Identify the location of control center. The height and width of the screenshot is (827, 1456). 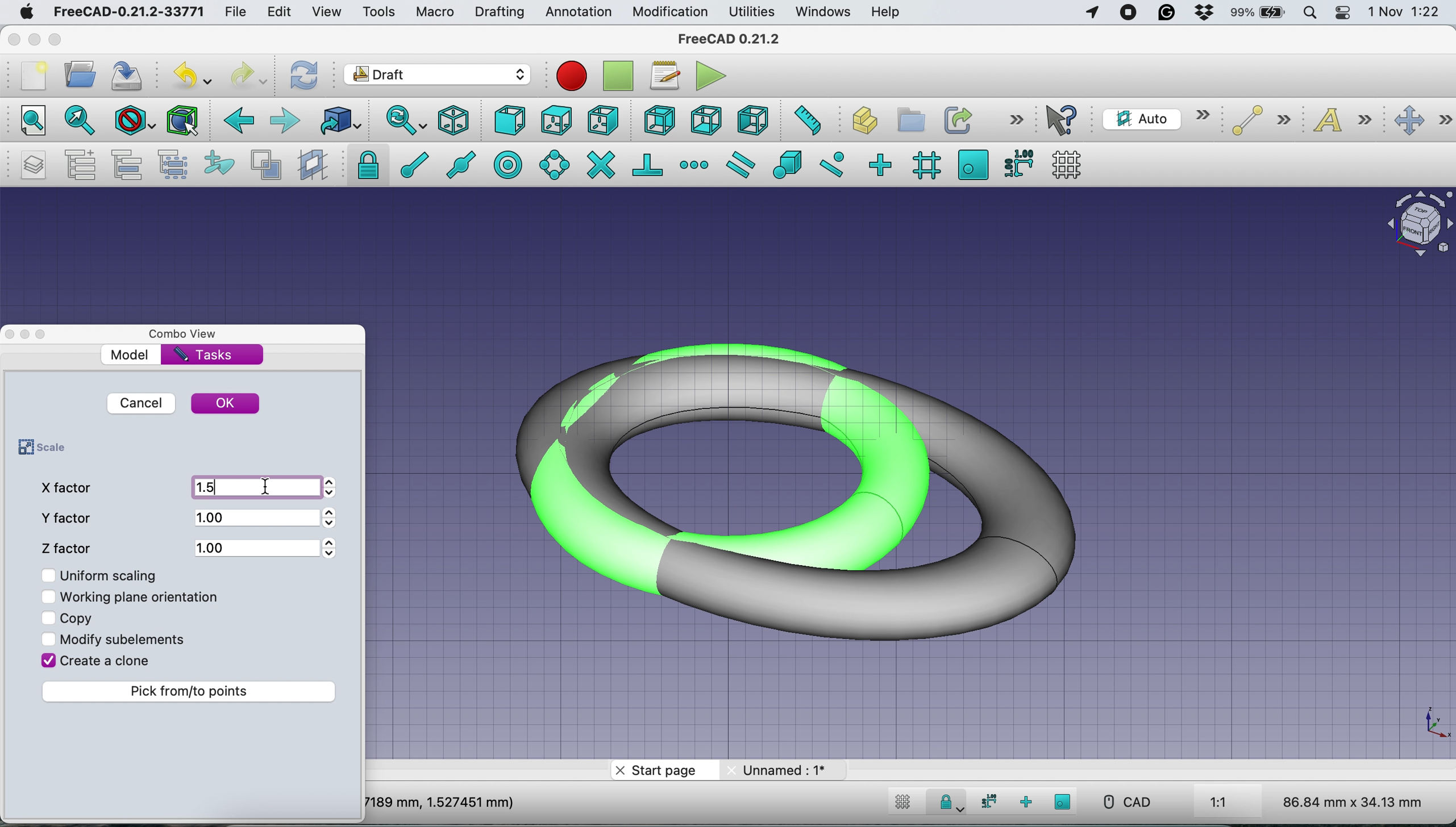
(1342, 14).